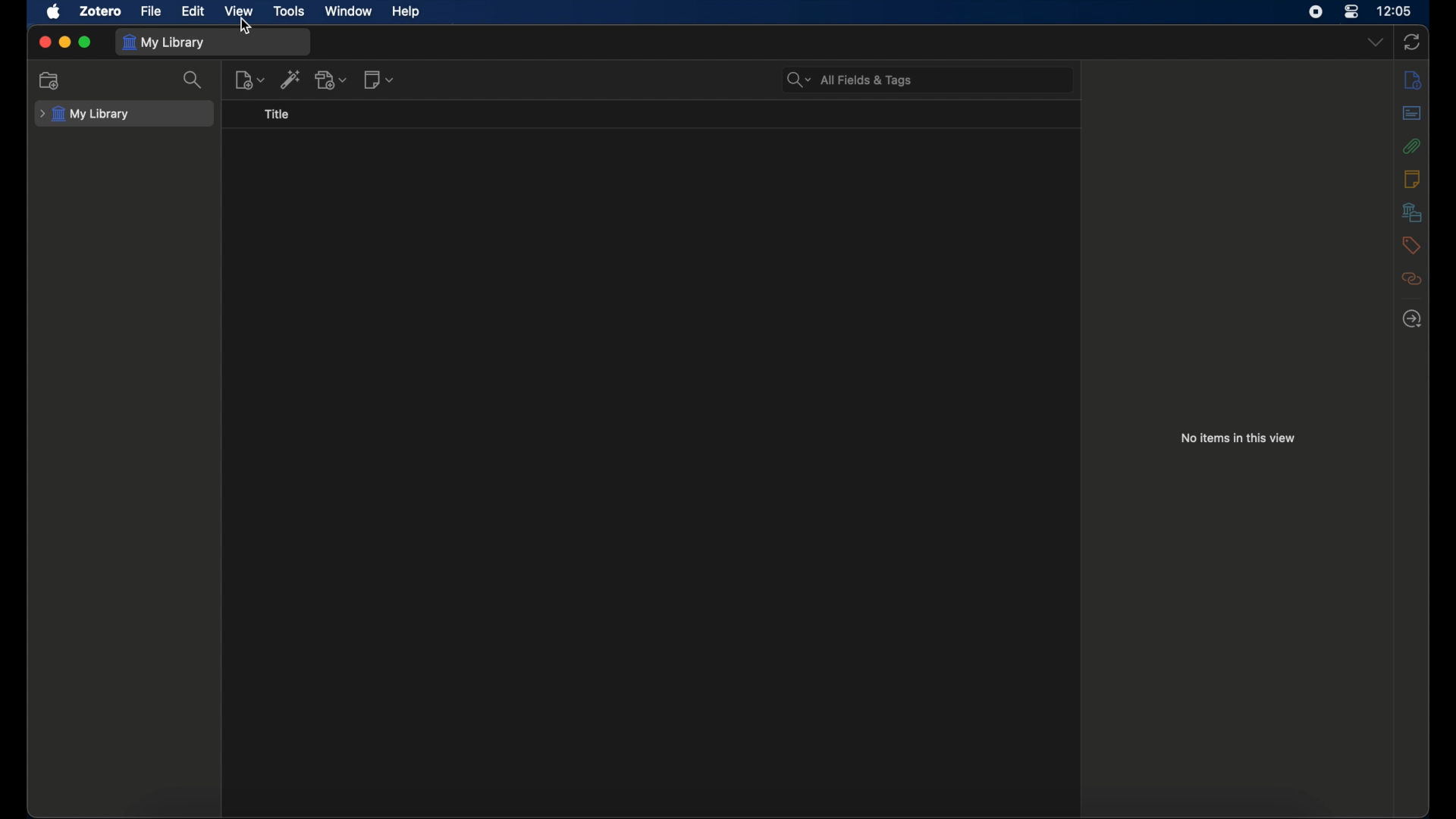  Describe the element at coordinates (246, 26) in the screenshot. I see `cursor` at that location.